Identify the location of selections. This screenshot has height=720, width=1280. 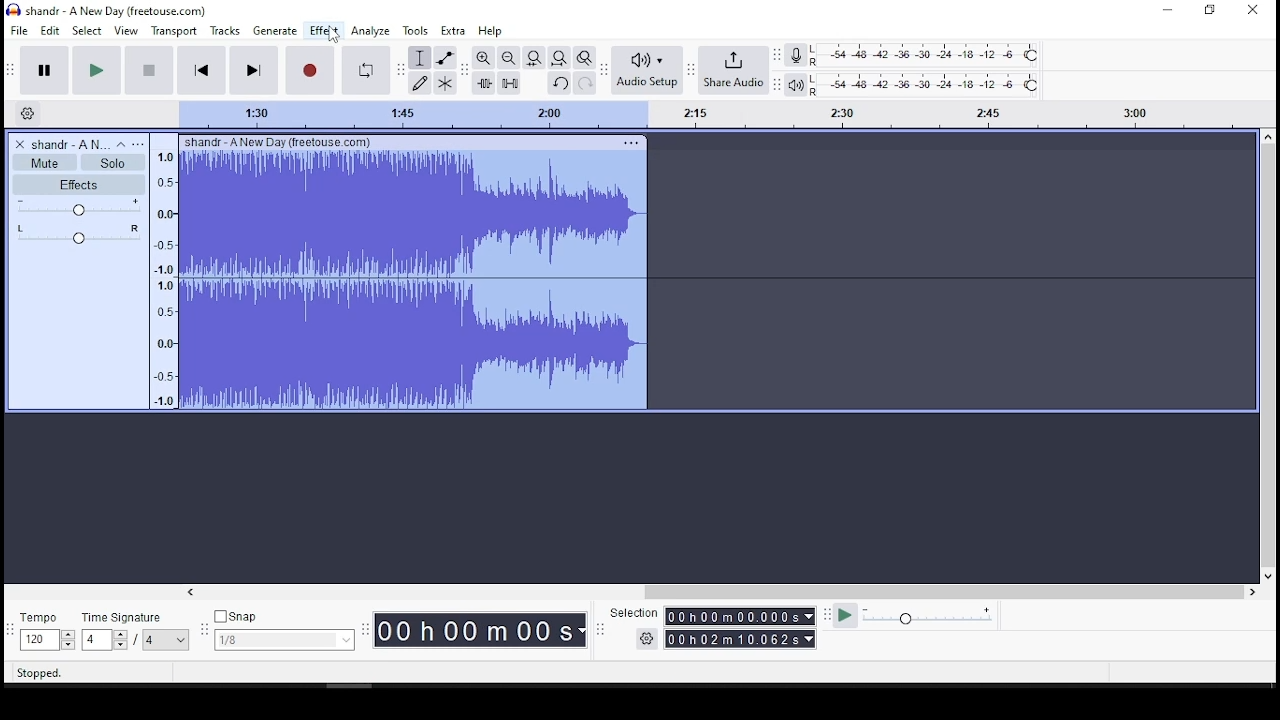
(714, 627).